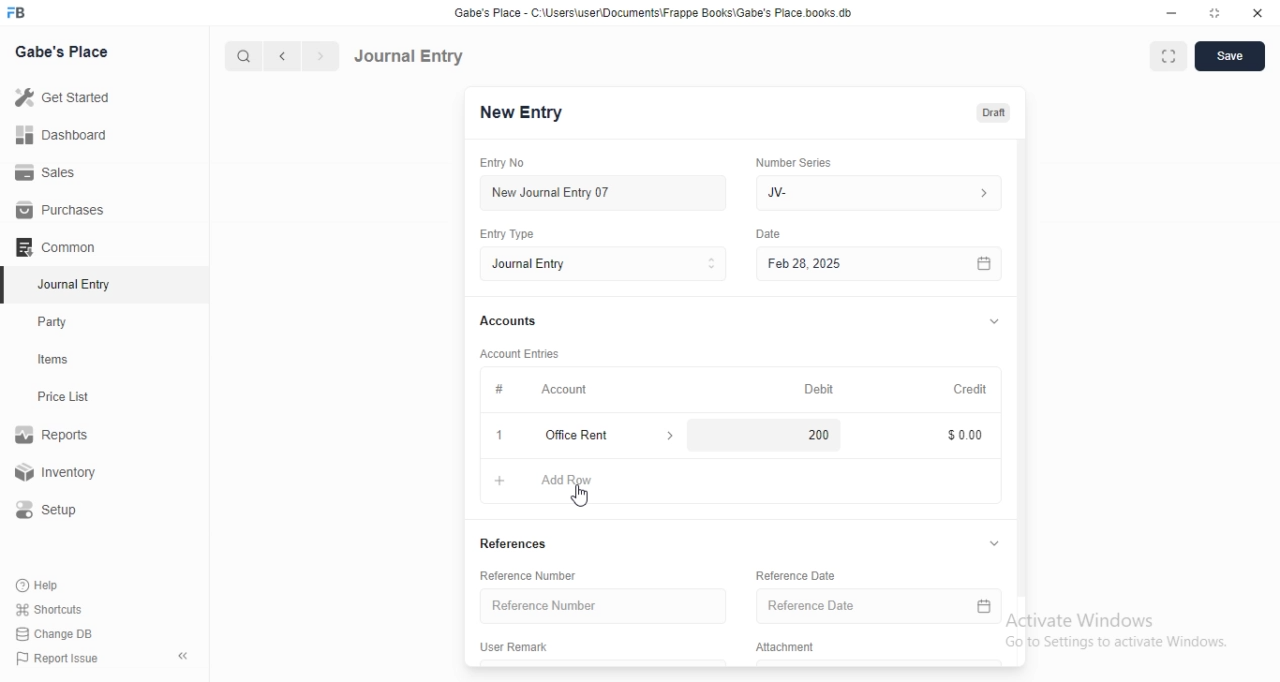 The image size is (1280, 682). Describe the element at coordinates (994, 318) in the screenshot. I see `v` at that location.